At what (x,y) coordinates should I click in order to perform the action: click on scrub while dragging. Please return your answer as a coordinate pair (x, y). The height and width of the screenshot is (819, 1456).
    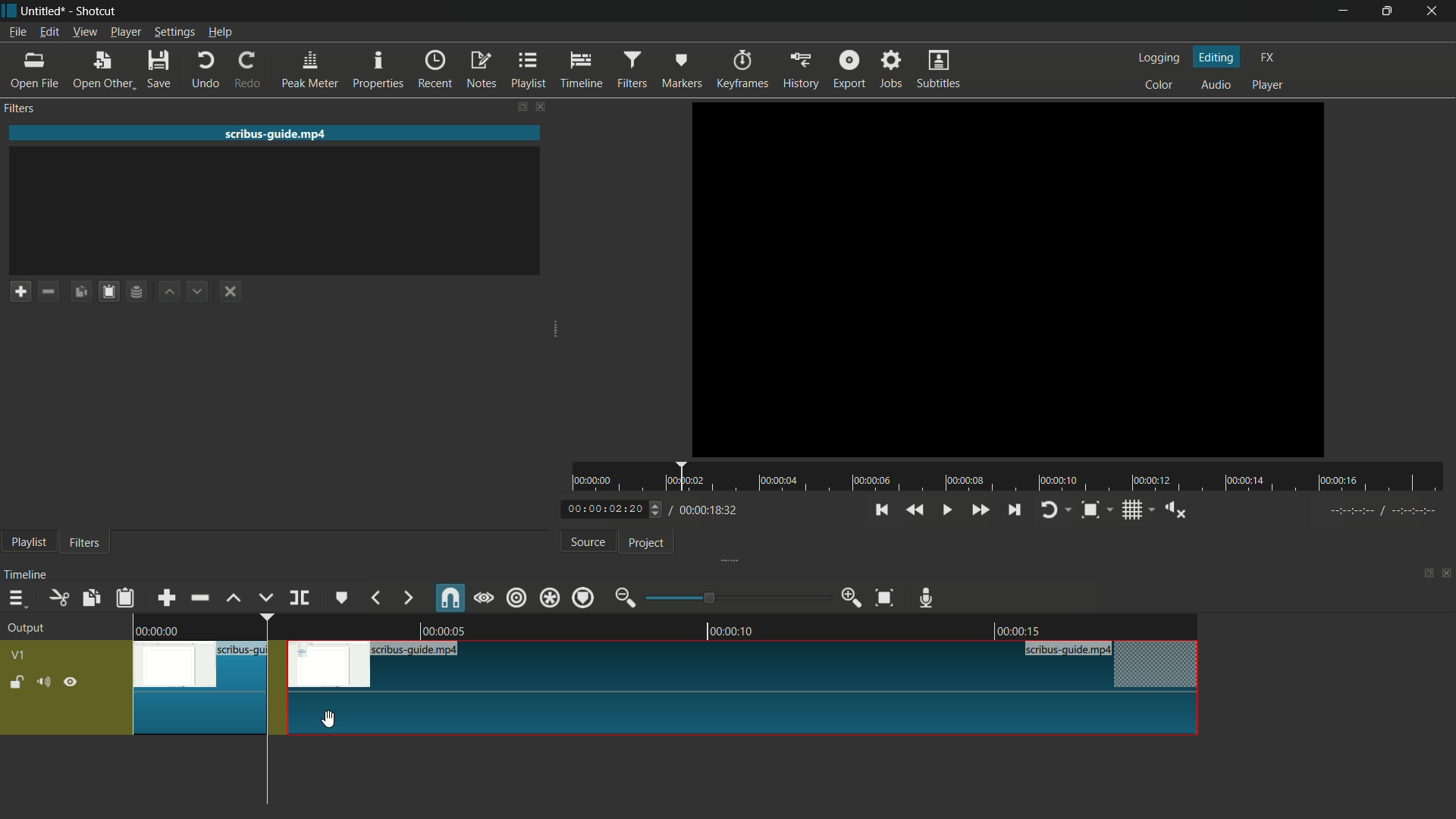
    Looking at the image, I should click on (483, 597).